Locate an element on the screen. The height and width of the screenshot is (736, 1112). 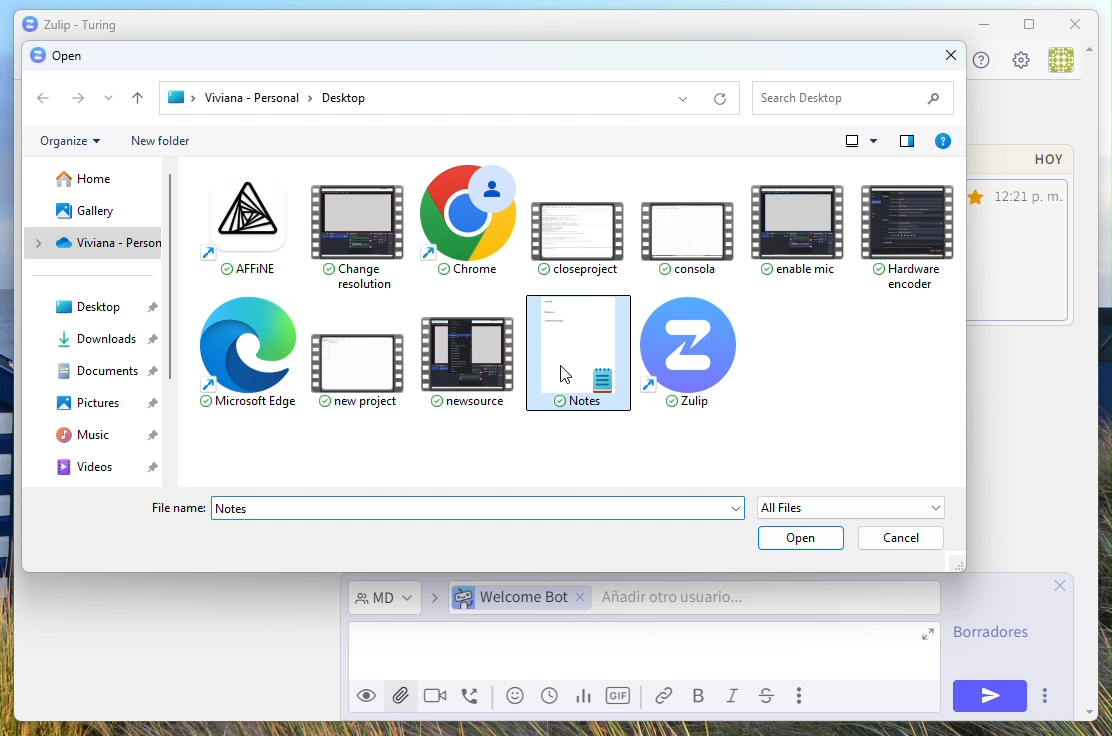
stats is located at coordinates (582, 697).